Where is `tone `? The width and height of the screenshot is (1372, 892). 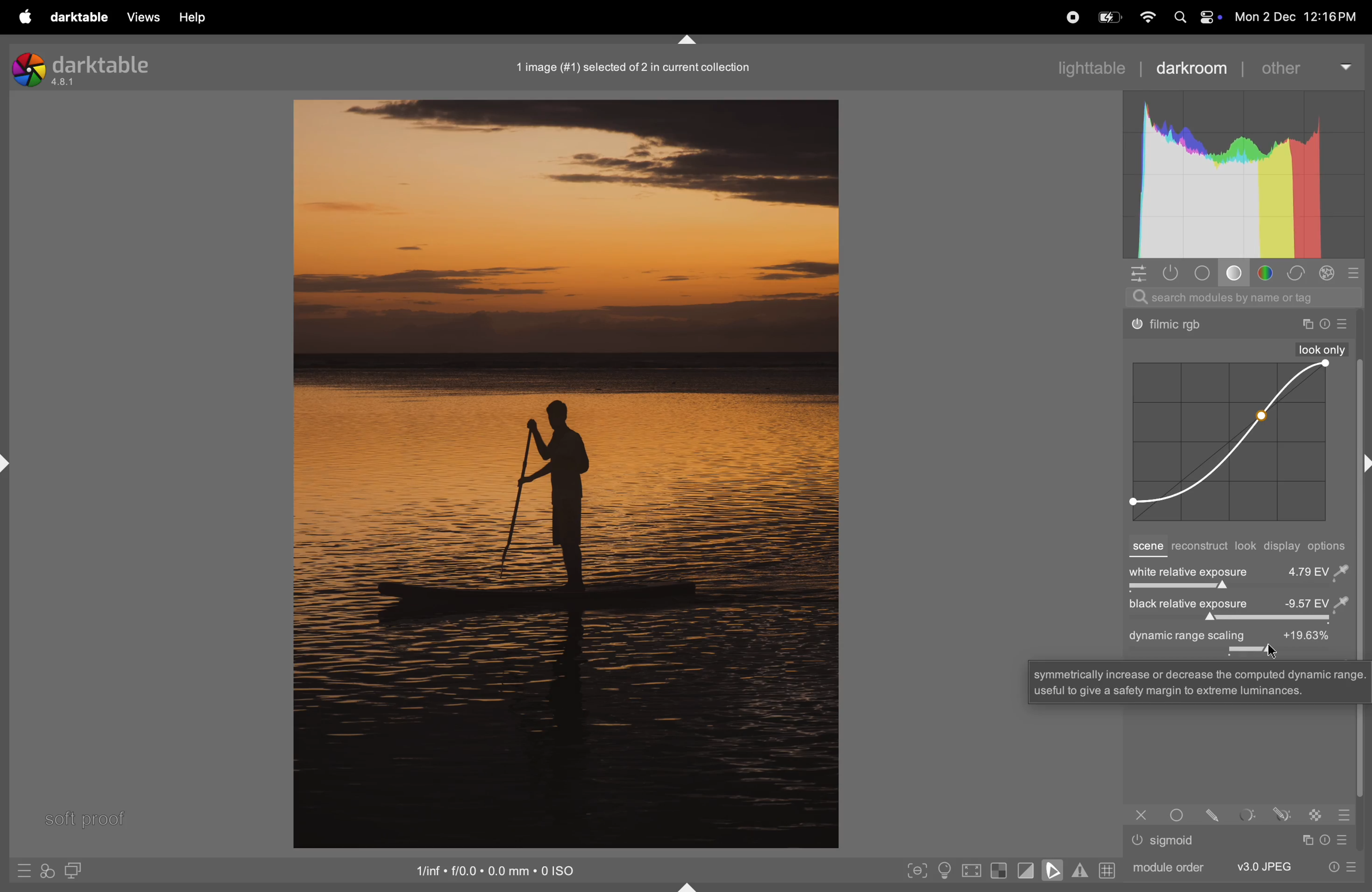
tone  is located at coordinates (1206, 273).